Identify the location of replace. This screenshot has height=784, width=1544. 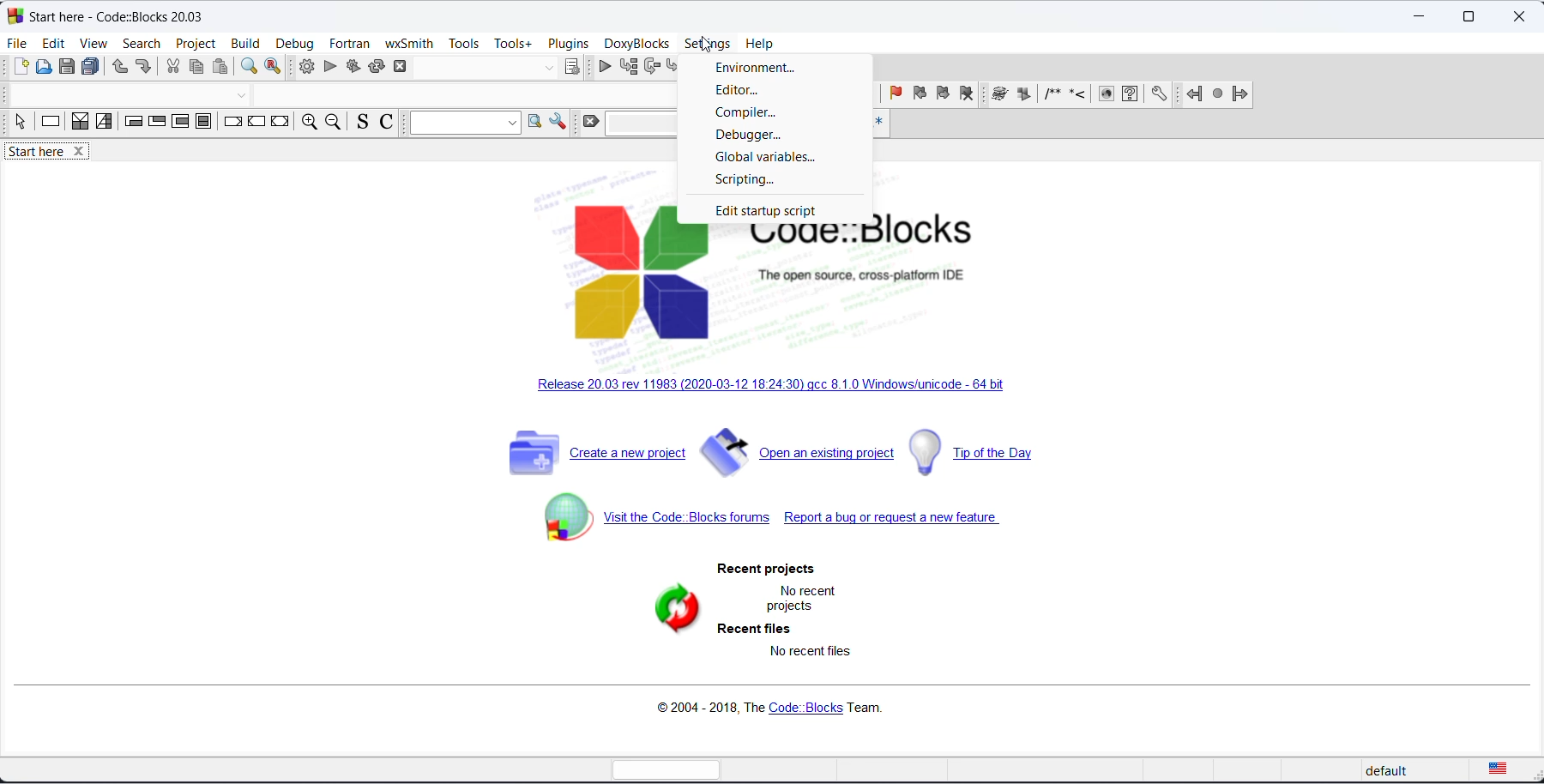
(274, 67).